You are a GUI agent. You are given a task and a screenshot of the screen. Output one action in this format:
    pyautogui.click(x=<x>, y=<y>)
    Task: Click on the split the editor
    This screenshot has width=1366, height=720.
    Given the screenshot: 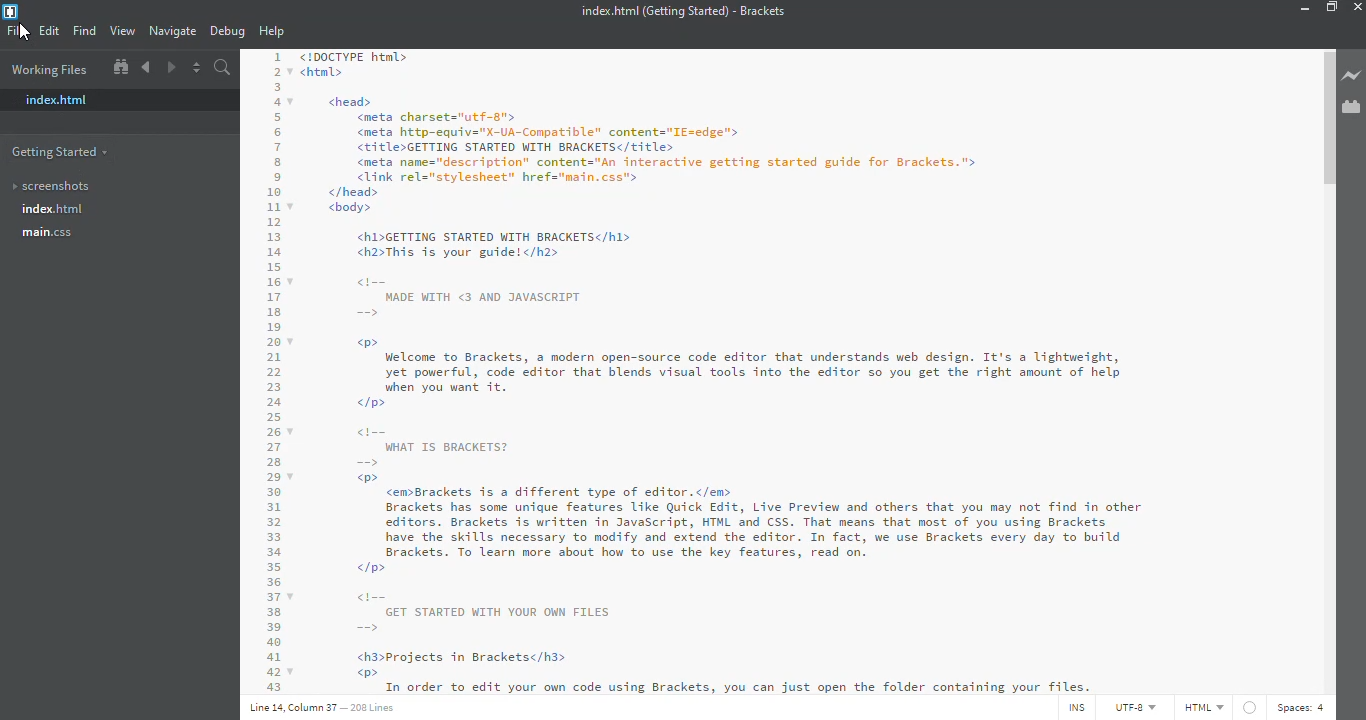 What is the action you would take?
    pyautogui.click(x=195, y=68)
    